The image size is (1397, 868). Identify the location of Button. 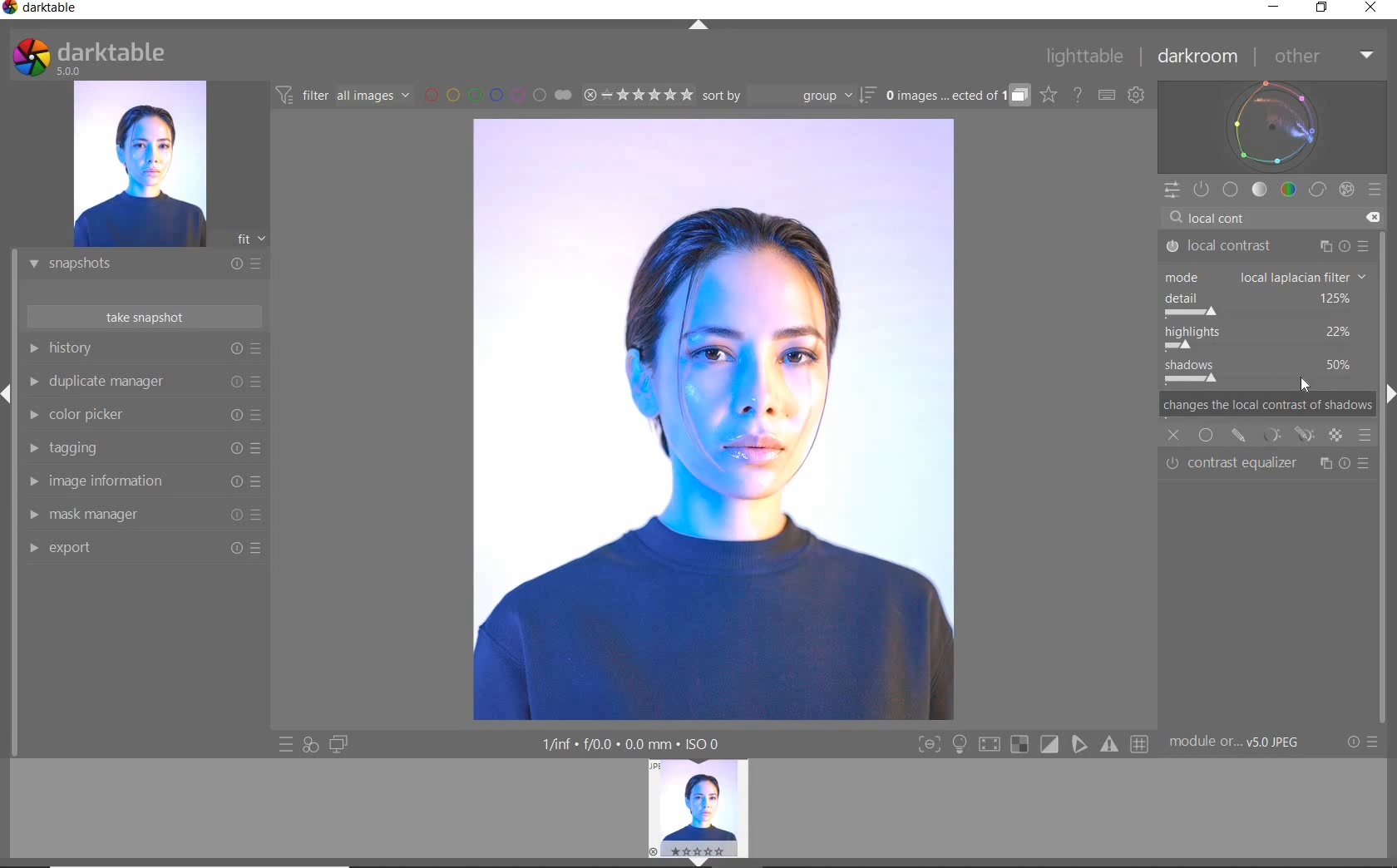
(1141, 745).